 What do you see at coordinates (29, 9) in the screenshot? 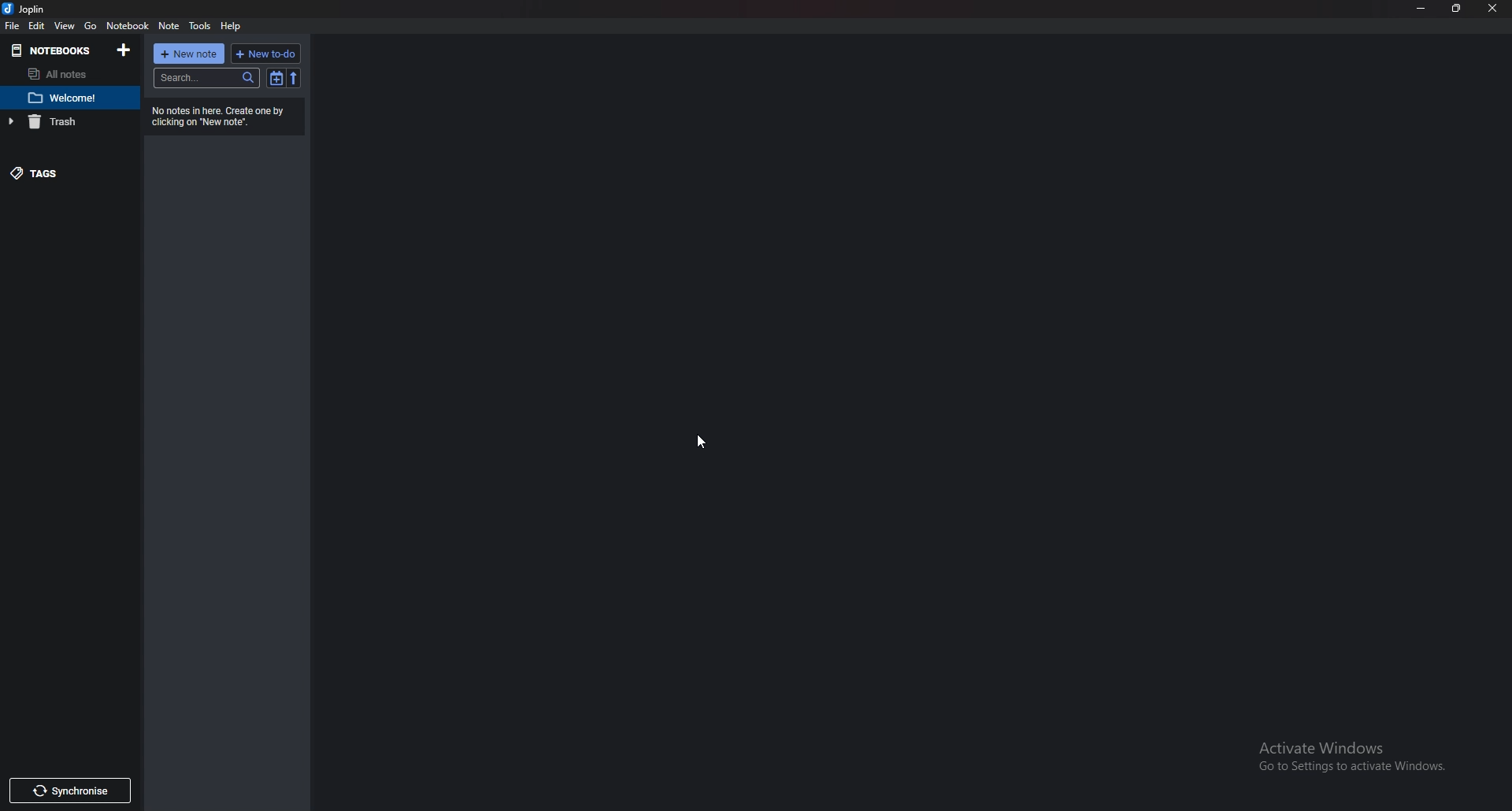
I see `joplin` at bounding box center [29, 9].